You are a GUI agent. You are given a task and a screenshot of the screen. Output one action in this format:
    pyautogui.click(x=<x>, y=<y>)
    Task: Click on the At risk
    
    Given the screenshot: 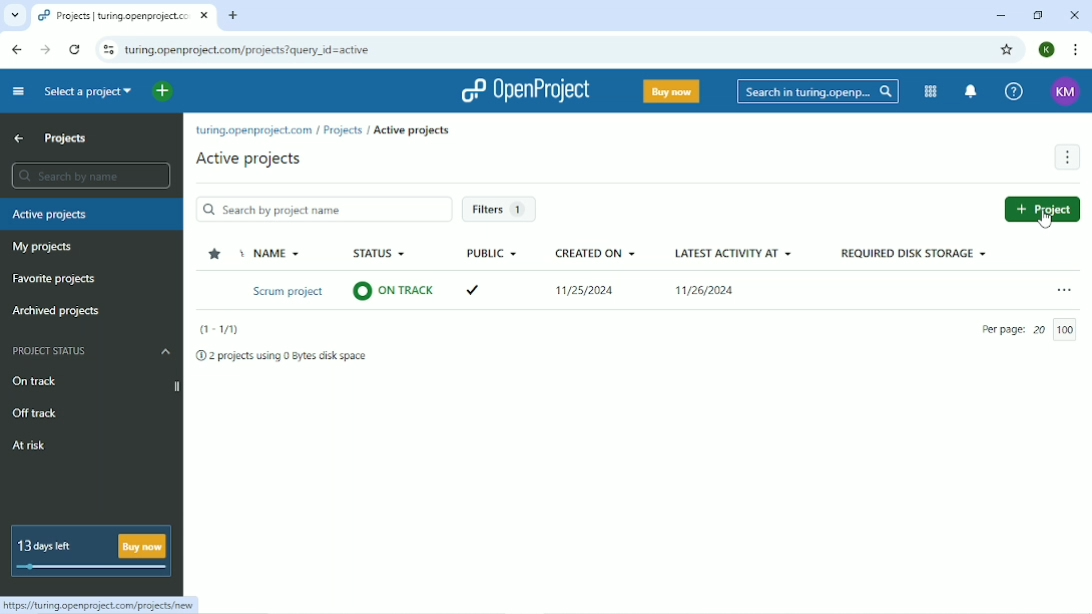 What is the action you would take?
    pyautogui.click(x=30, y=447)
    